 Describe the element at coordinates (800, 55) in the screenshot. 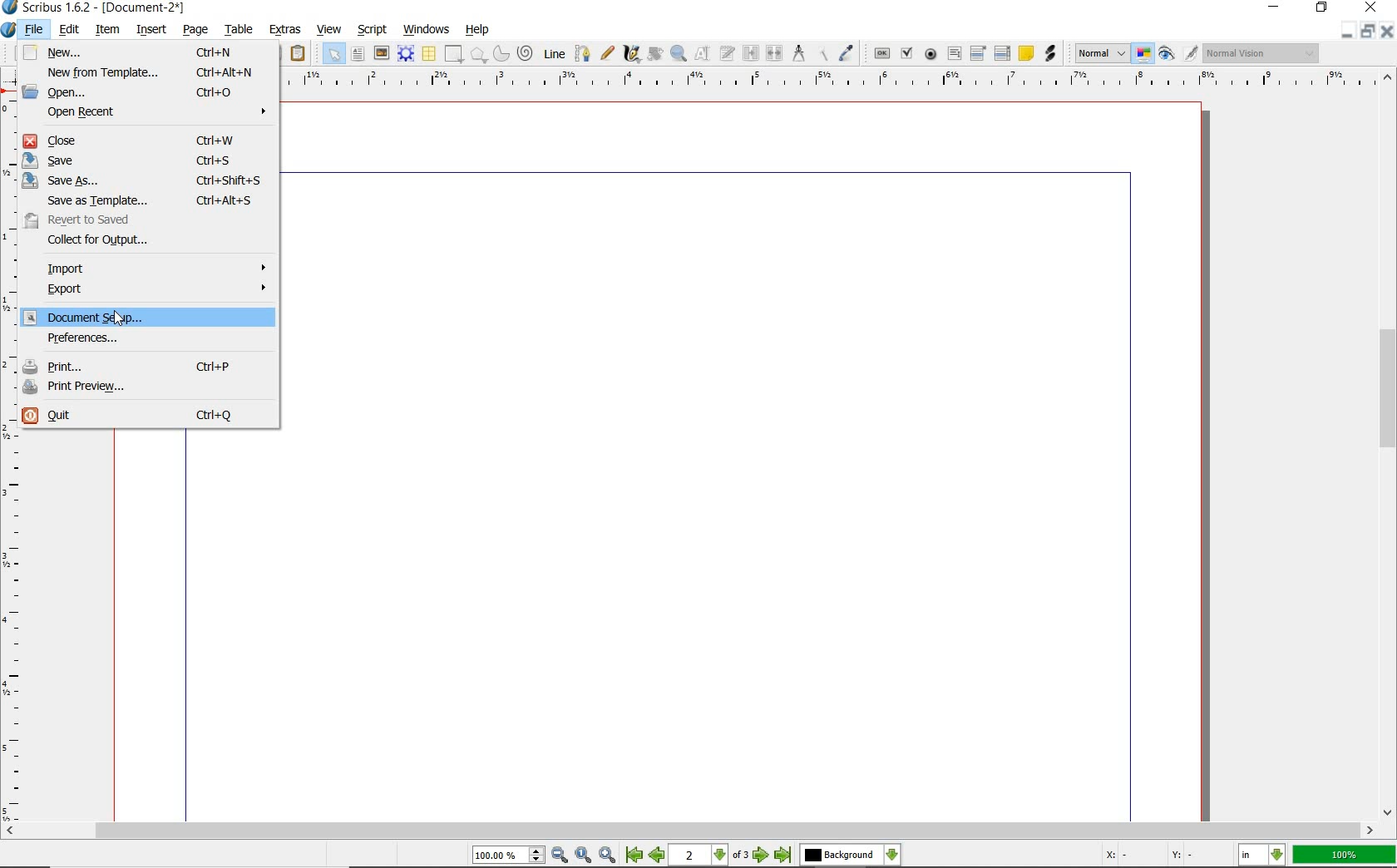

I see `measurements` at that location.